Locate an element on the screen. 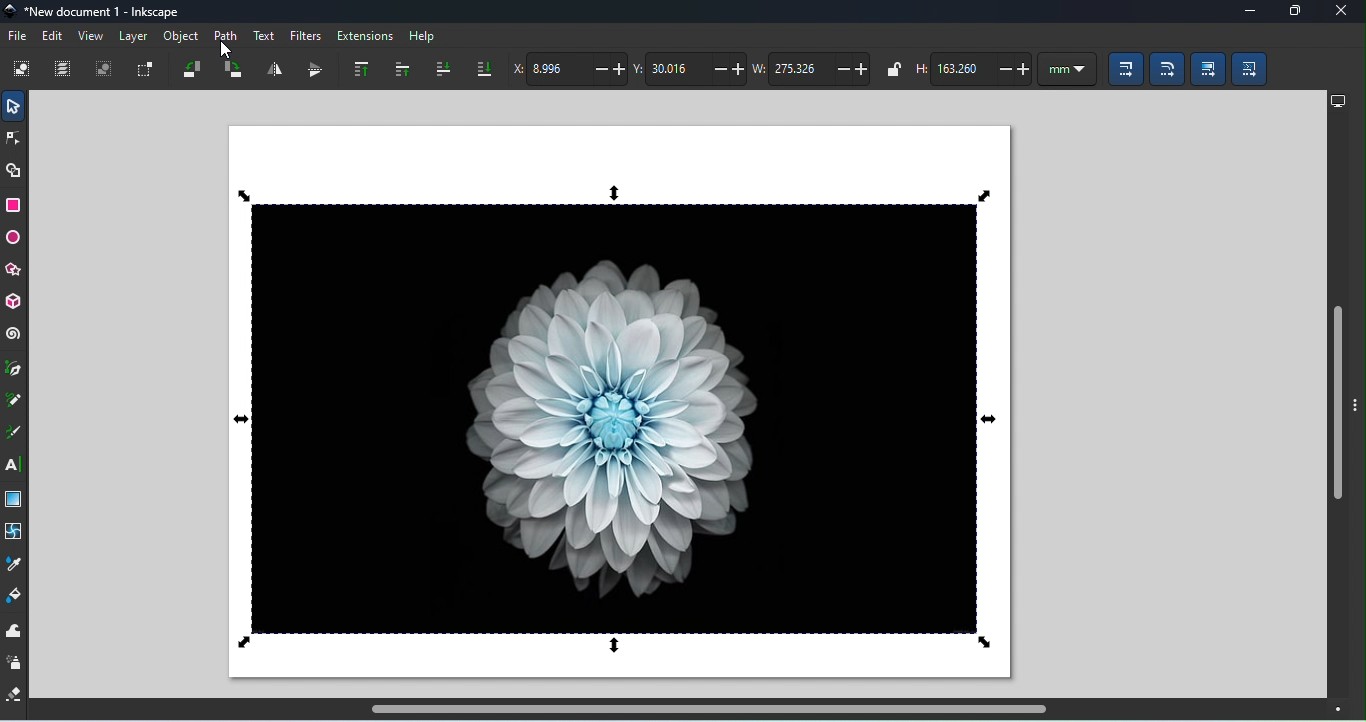  Move patterns (in fill or stroke) along with the objects) is located at coordinates (1252, 70).